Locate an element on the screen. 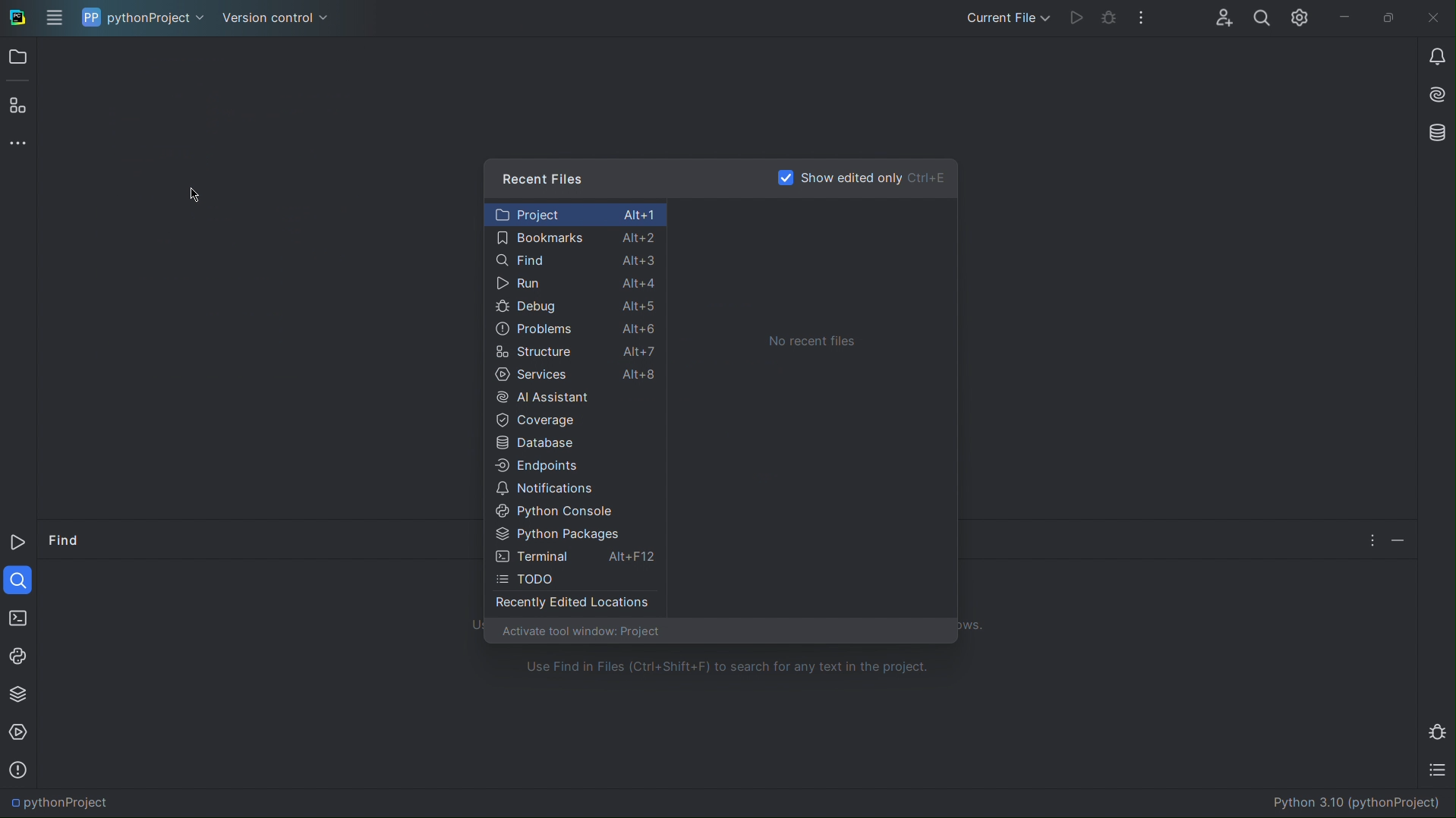 The width and height of the screenshot is (1456, 818). Search is located at coordinates (1260, 17).